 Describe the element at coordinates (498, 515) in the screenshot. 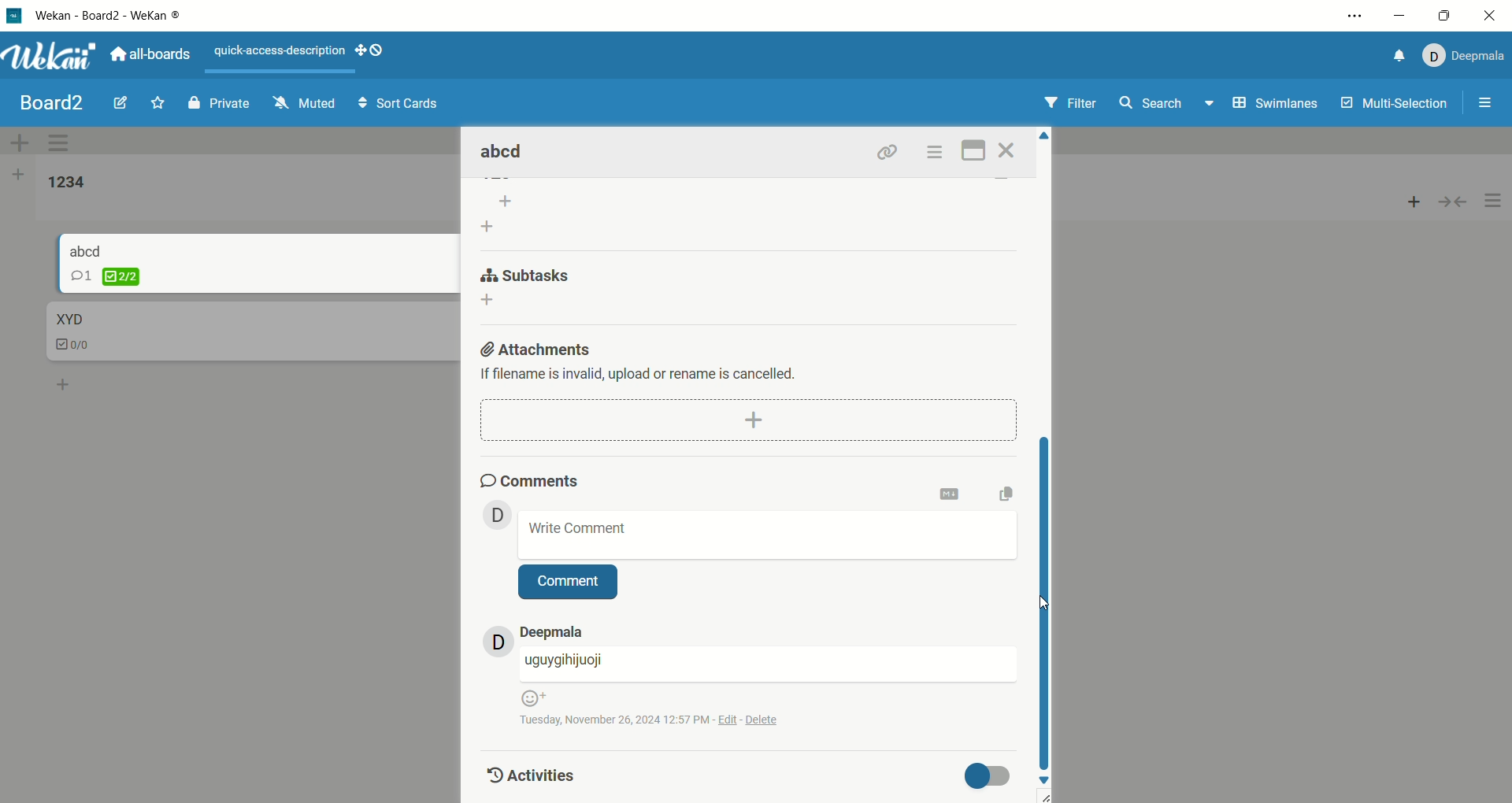

I see `avatar` at that location.